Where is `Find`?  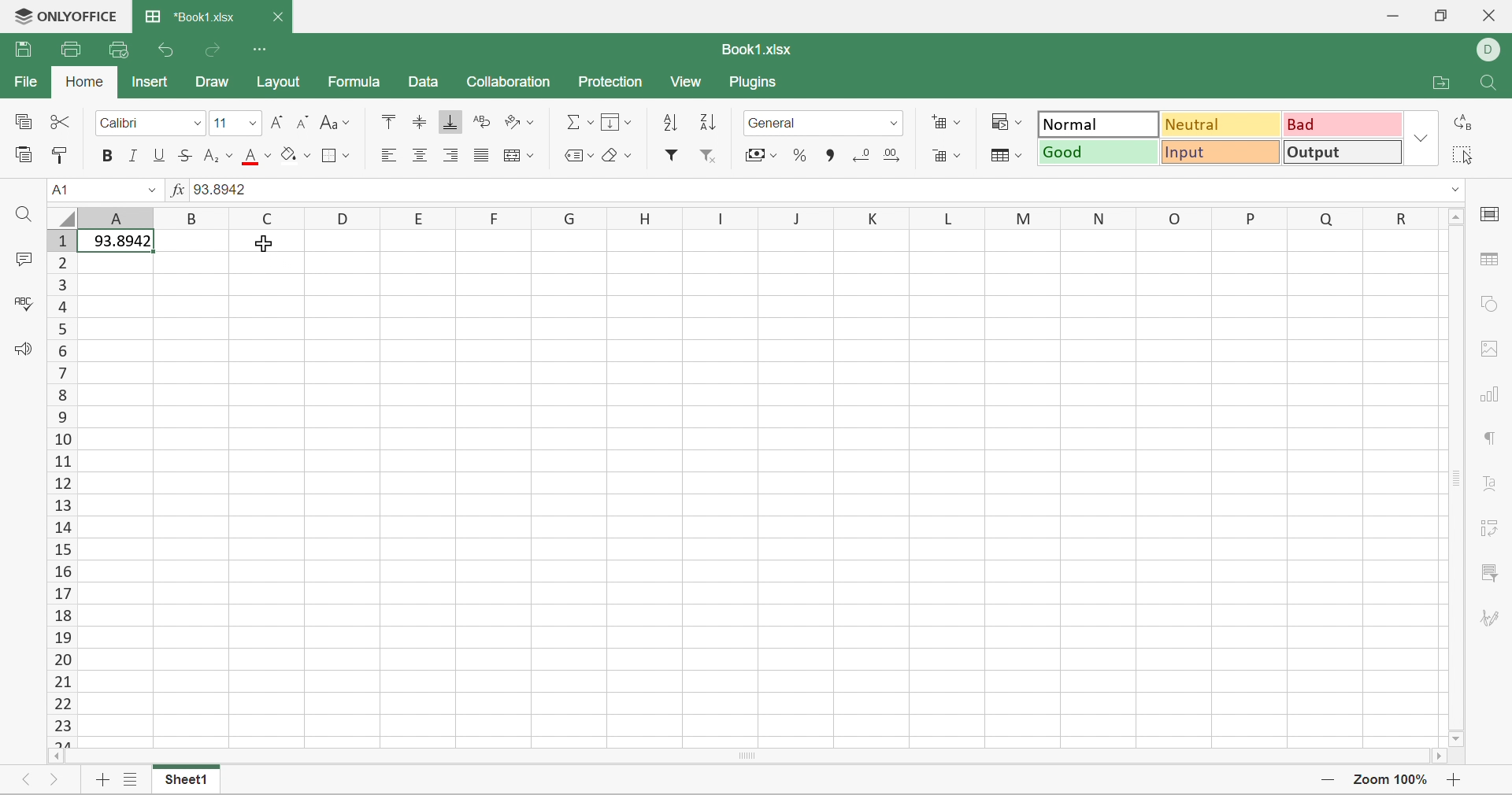 Find is located at coordinates (1483, 83).